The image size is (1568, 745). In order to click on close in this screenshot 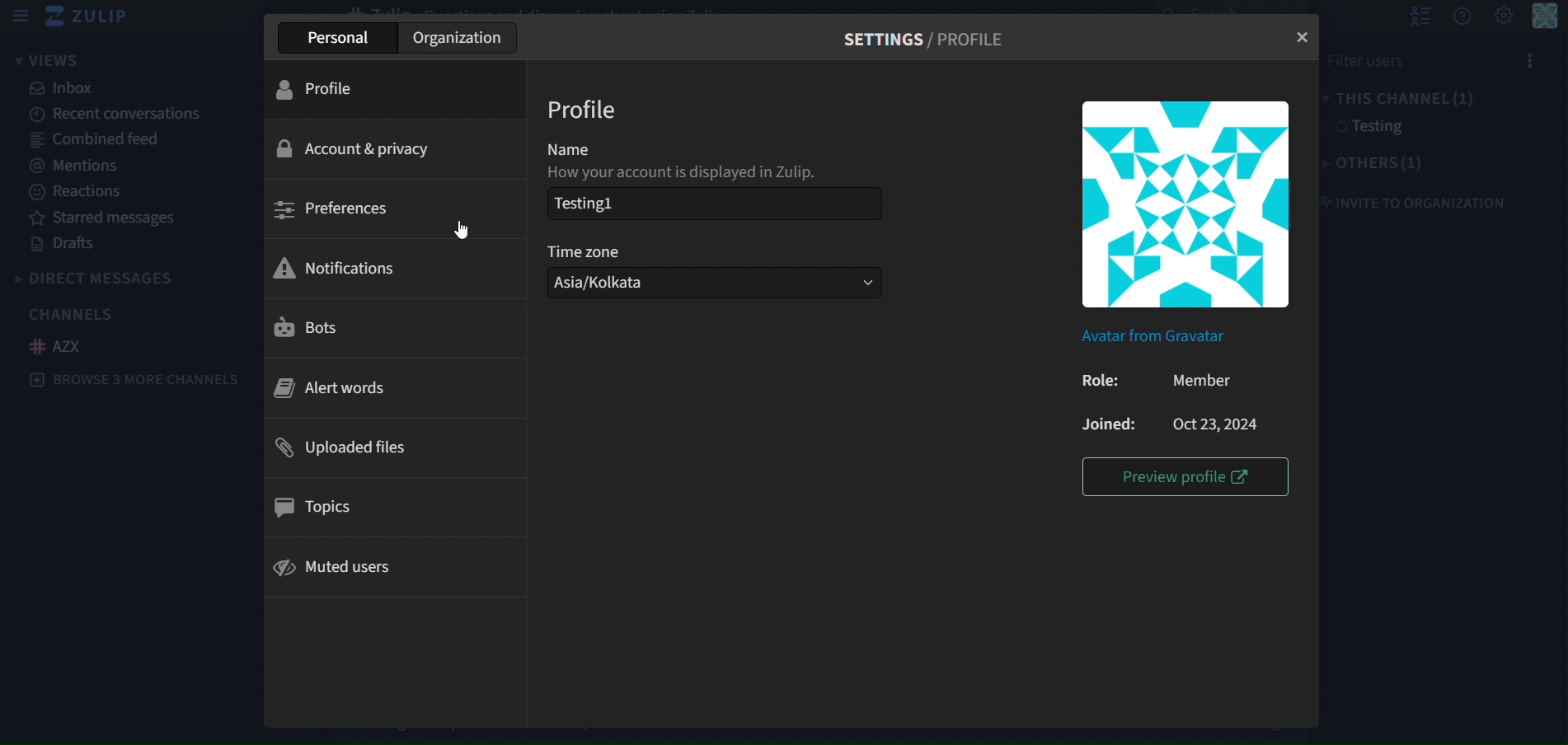, I will do `click(1305, 35)`.